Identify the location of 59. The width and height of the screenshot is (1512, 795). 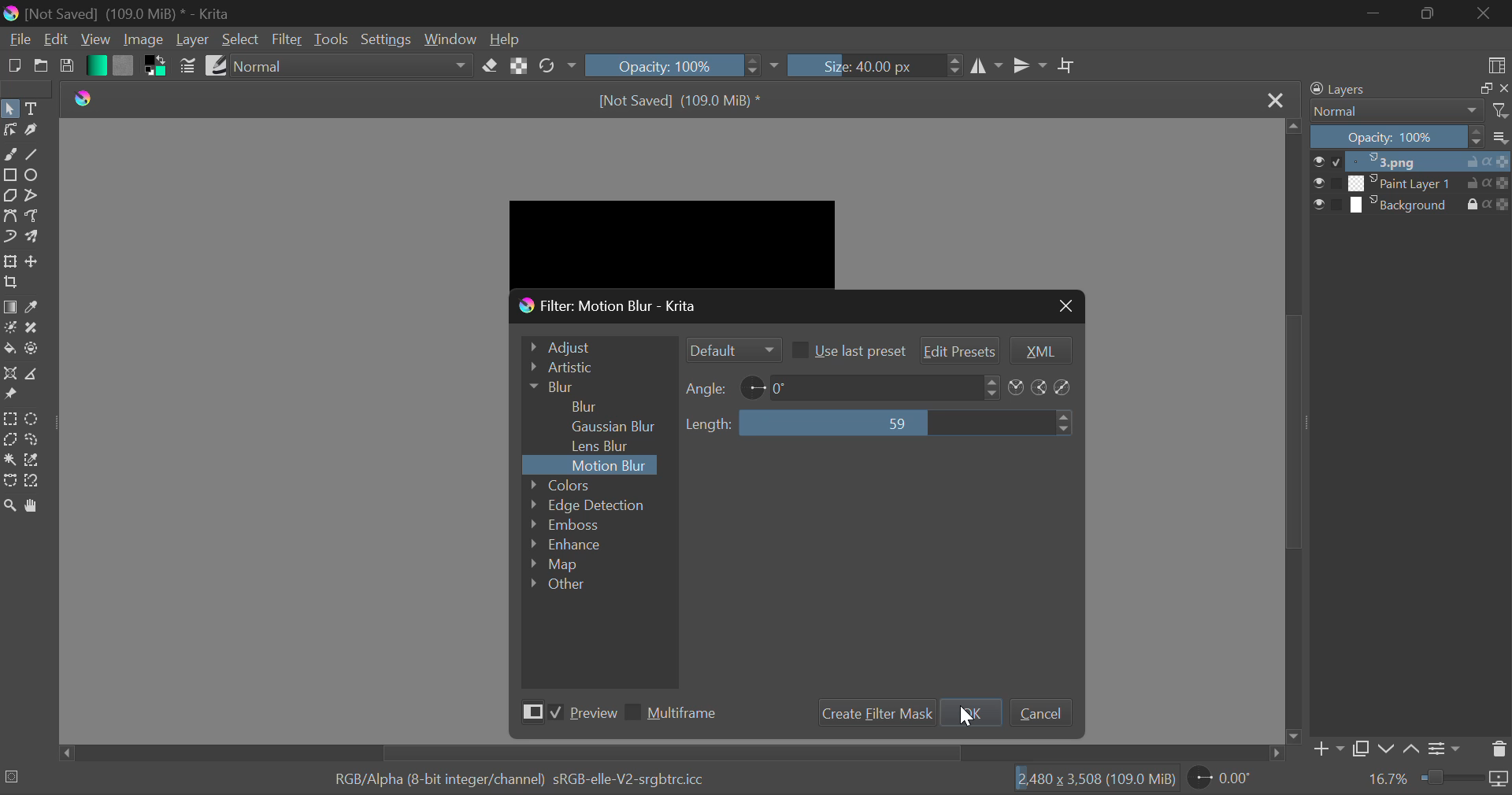
(895, 422).